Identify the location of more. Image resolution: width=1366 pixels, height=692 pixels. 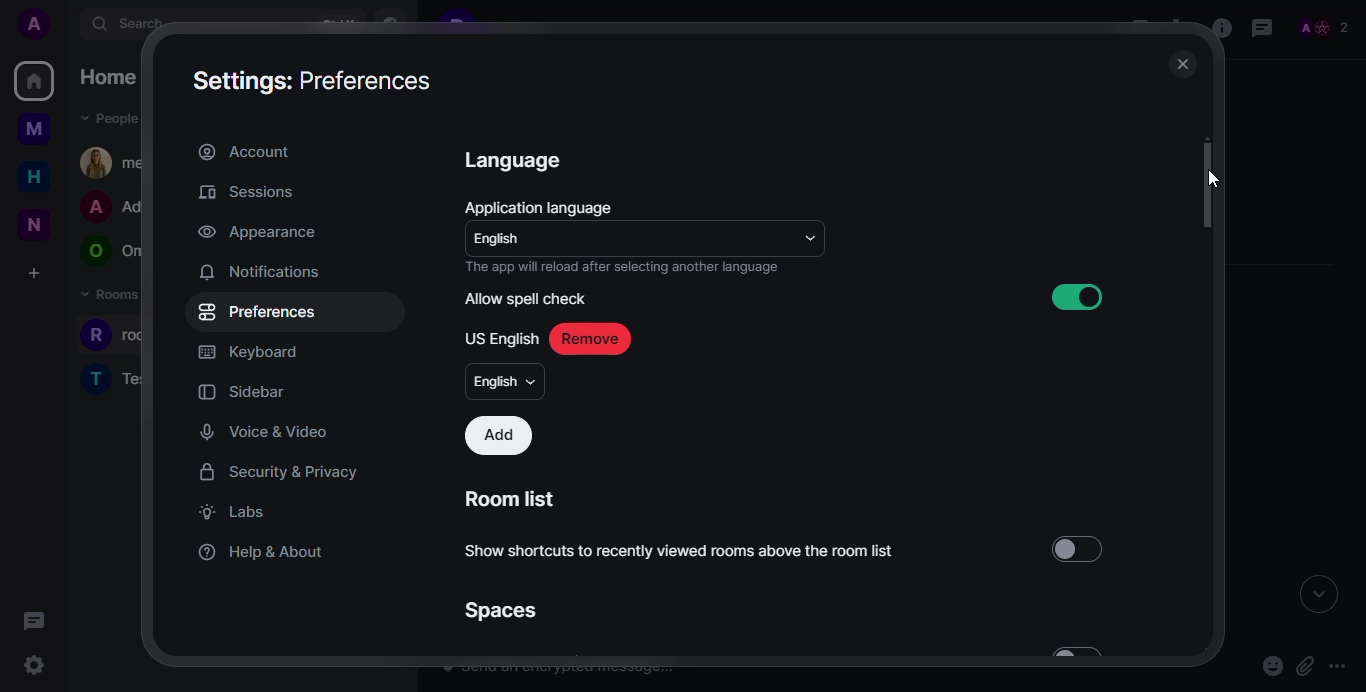
(1337, 665).